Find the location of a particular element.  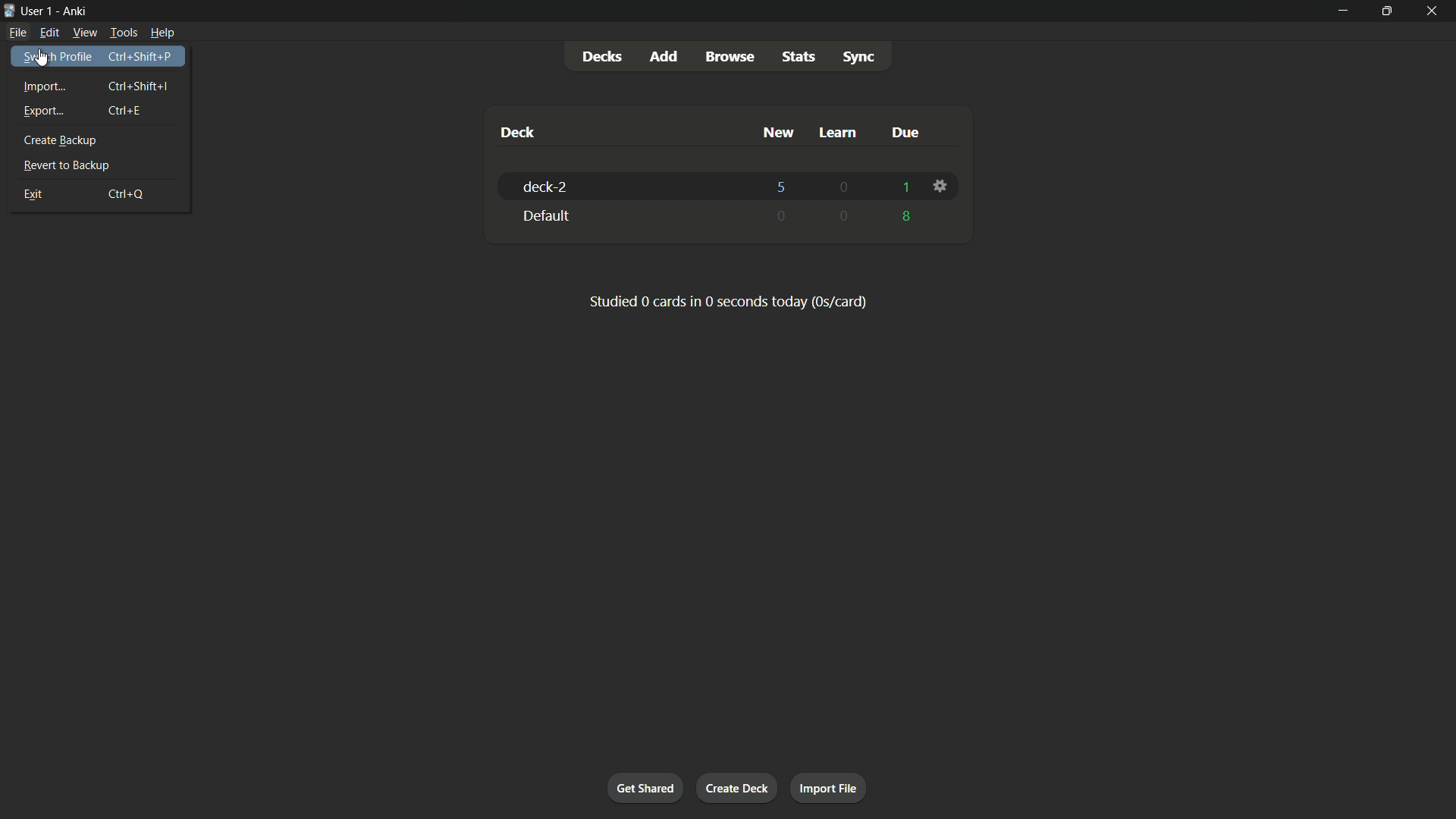

close app is located at coordinates (1433, 11).